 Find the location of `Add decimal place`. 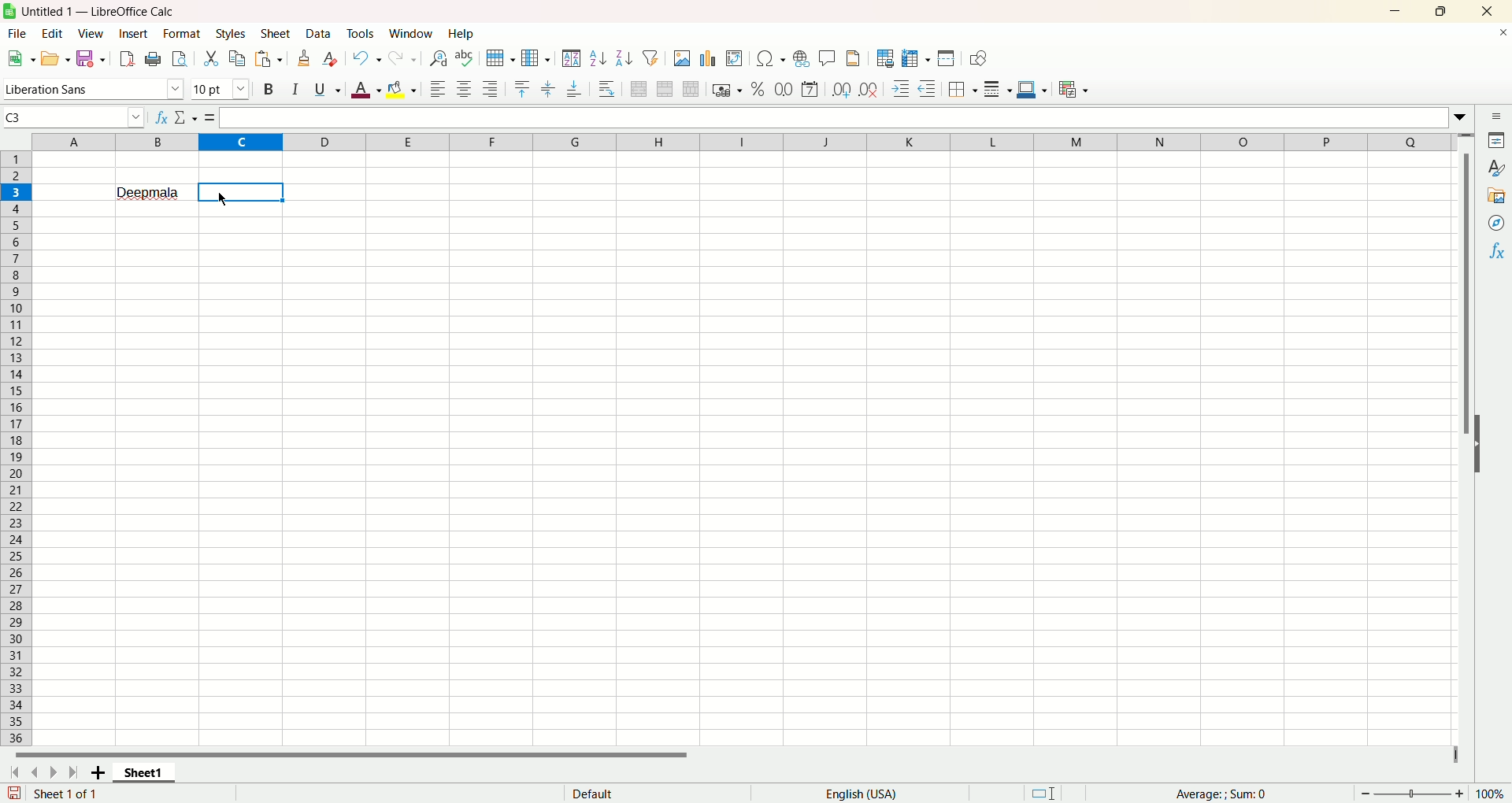

Add decimal place is located at coordinates (840, 91).